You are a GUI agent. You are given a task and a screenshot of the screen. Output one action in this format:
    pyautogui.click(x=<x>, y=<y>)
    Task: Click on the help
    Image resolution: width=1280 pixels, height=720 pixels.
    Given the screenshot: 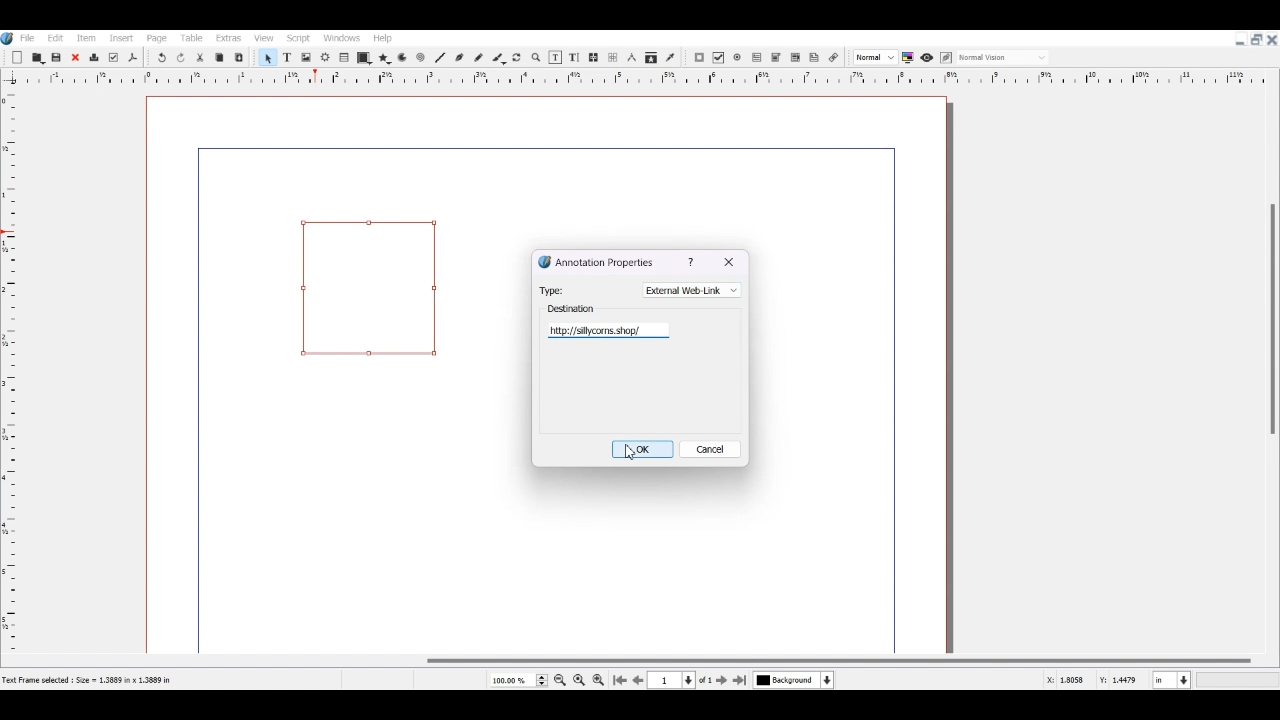 What is the action you would take?
    pyautogui.click(x=693, y=262)
    